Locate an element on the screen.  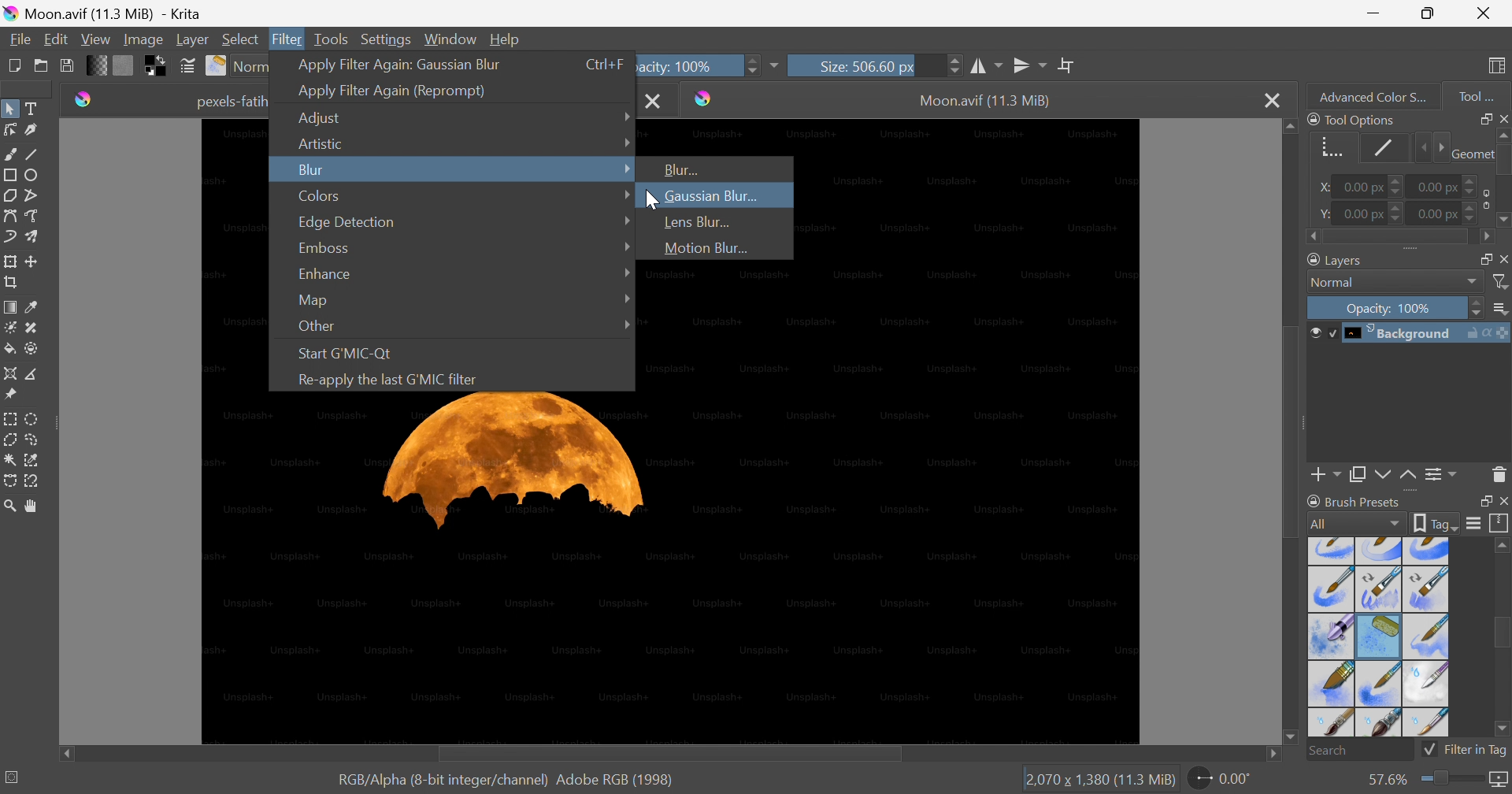
Scroll right is located at coordinates (1276, 755).